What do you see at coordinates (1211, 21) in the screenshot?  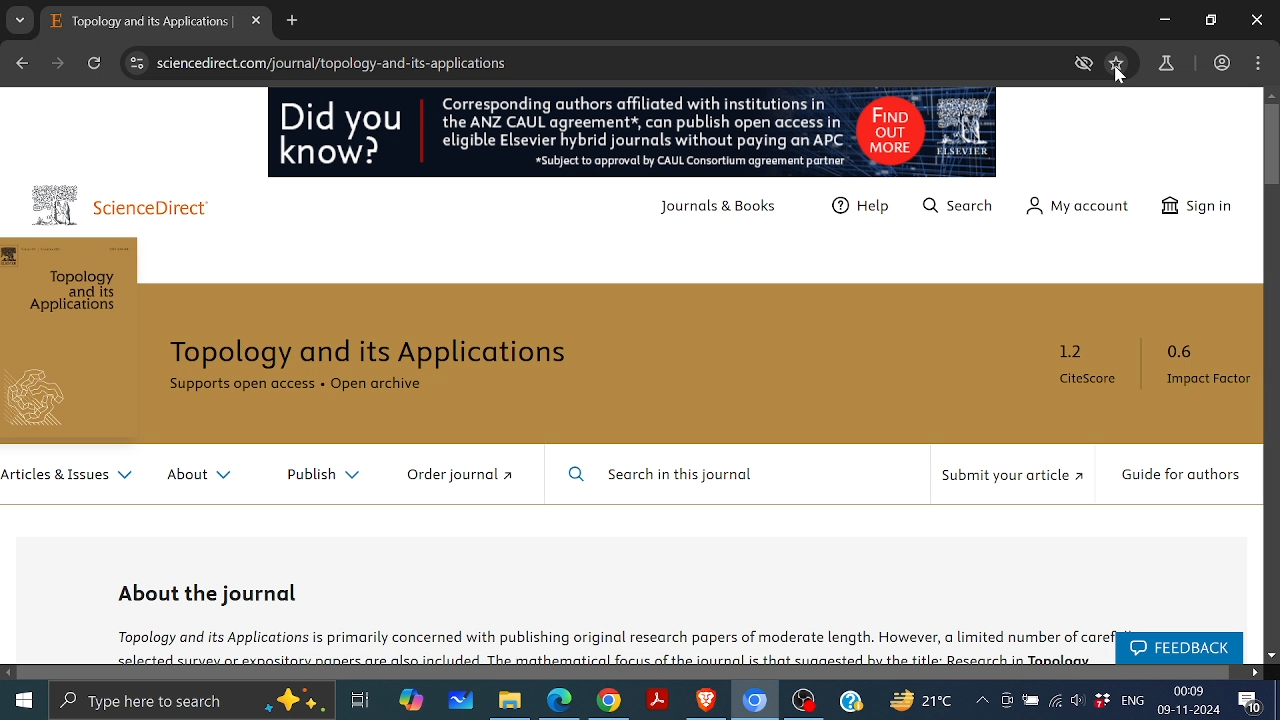 I see `maximize` at bounding box center [1211, 21].